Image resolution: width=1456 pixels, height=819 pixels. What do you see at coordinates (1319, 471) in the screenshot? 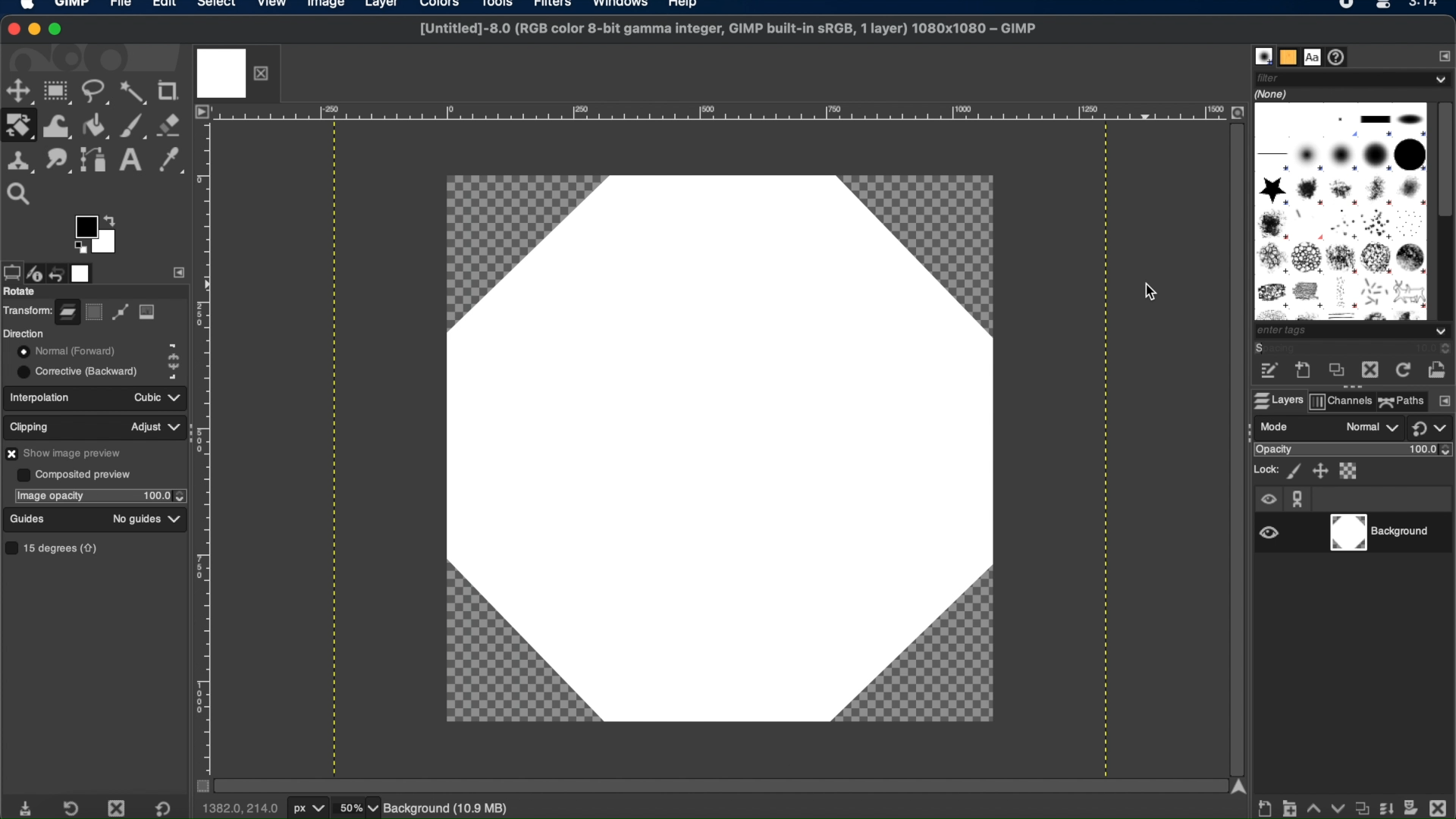
I see `lock position ans size` at bounding box center [1319, 471].